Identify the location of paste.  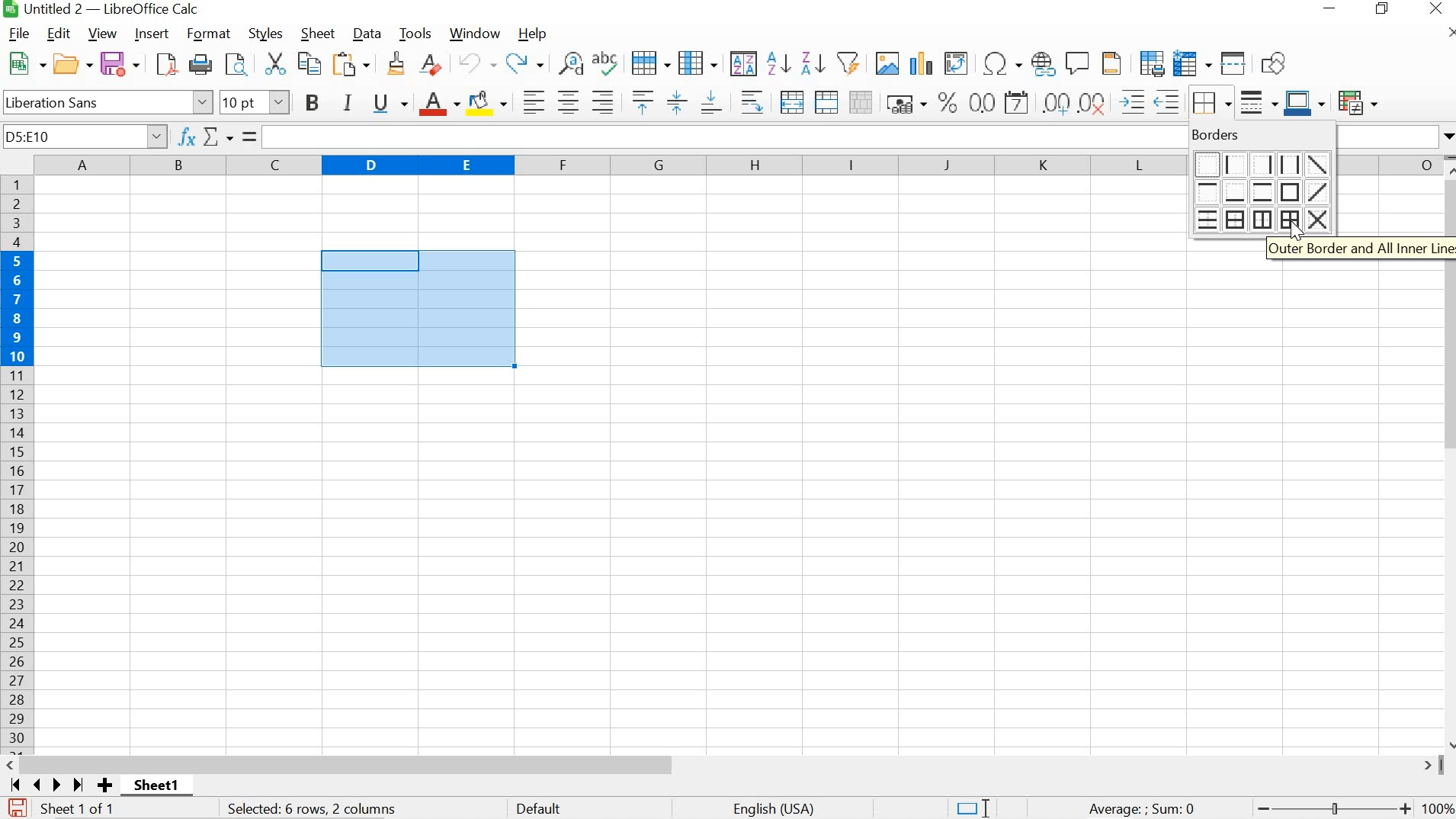
(353, 63).